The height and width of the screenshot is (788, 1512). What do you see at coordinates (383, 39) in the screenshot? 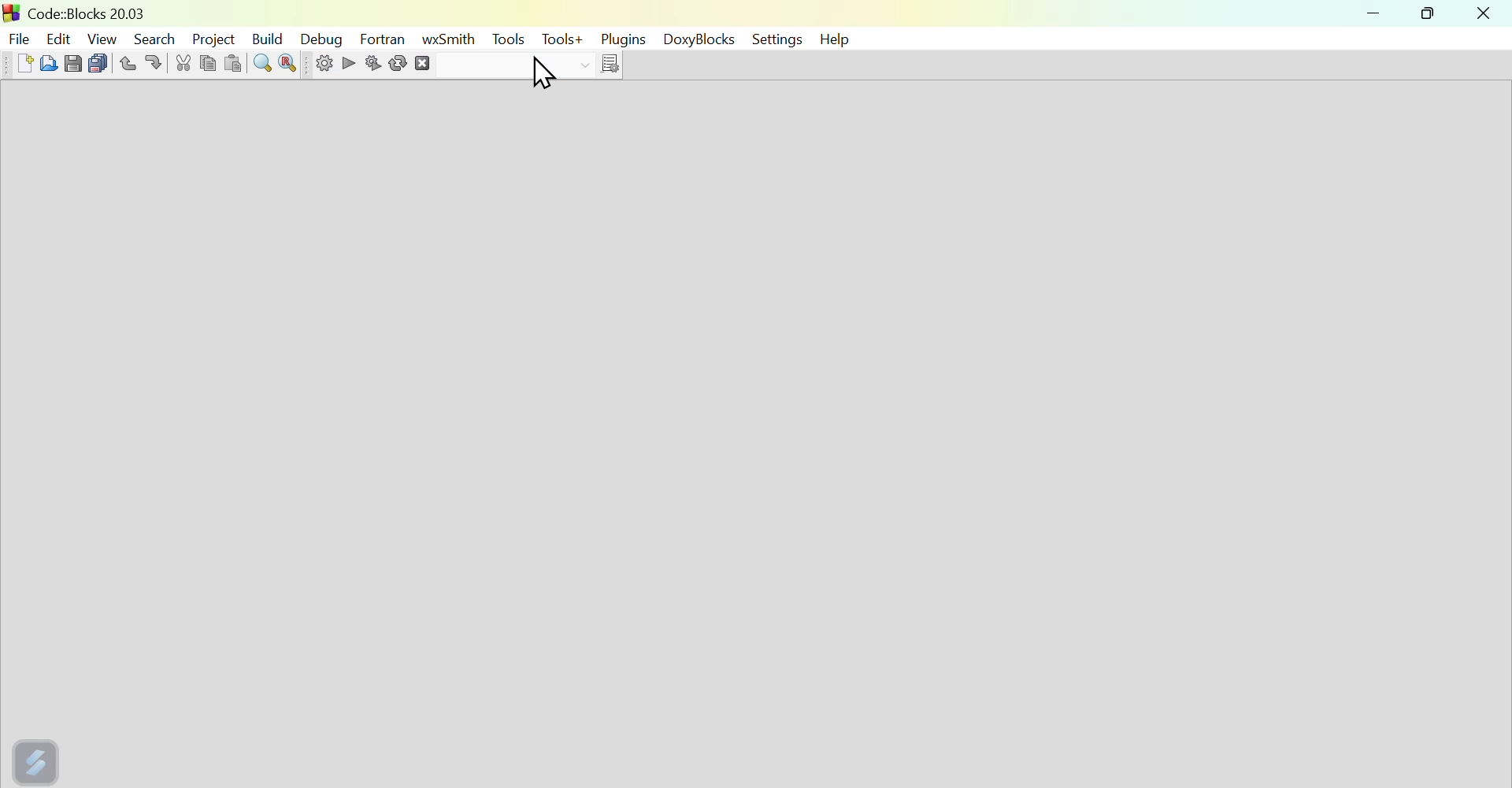
I see `Fortran` at bounding box center [383, 39].